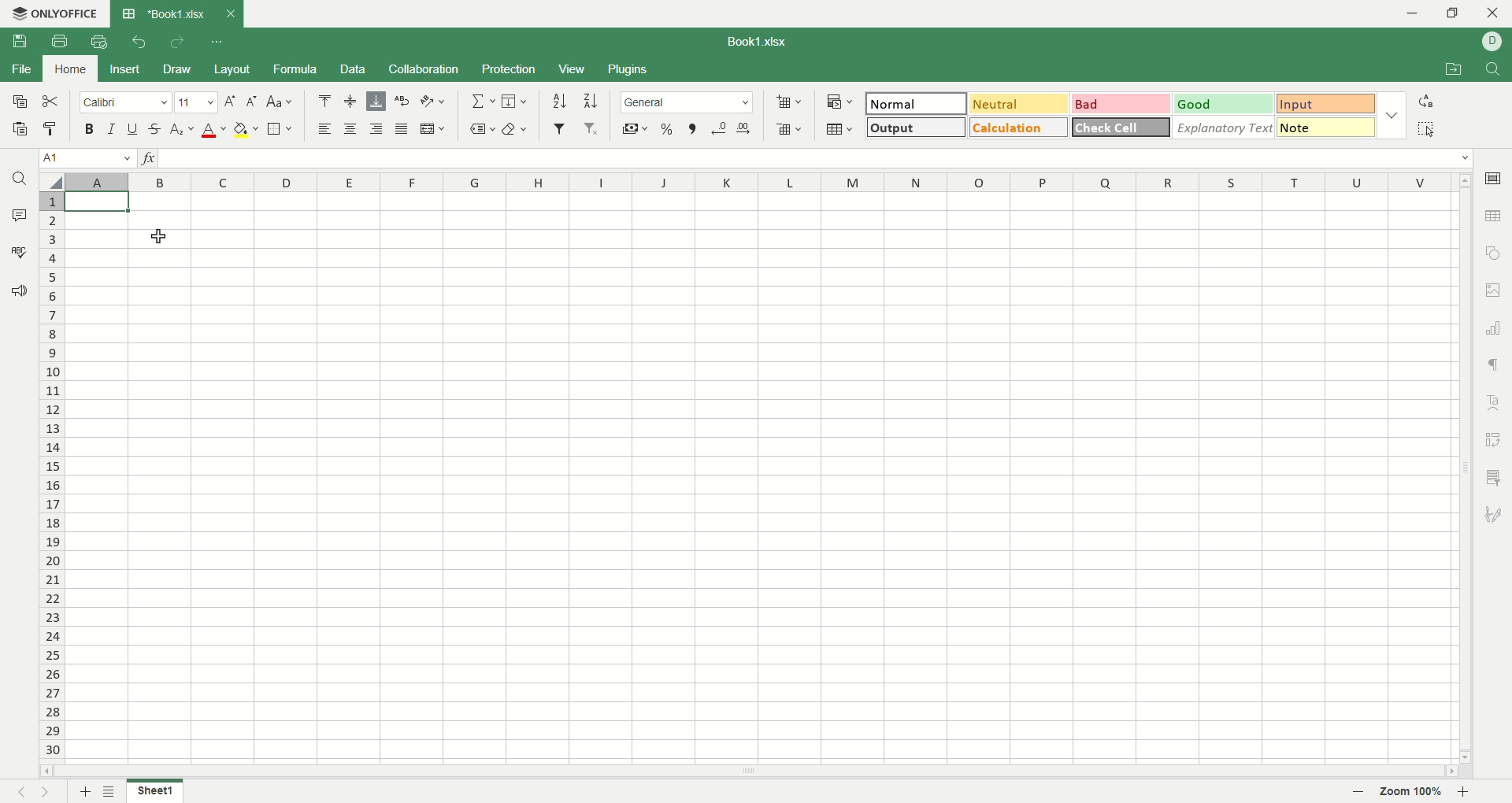 Image resolution: width=1512 pixels, height=803 pixels. I want to click on Zoom in, so click(1462, 792).